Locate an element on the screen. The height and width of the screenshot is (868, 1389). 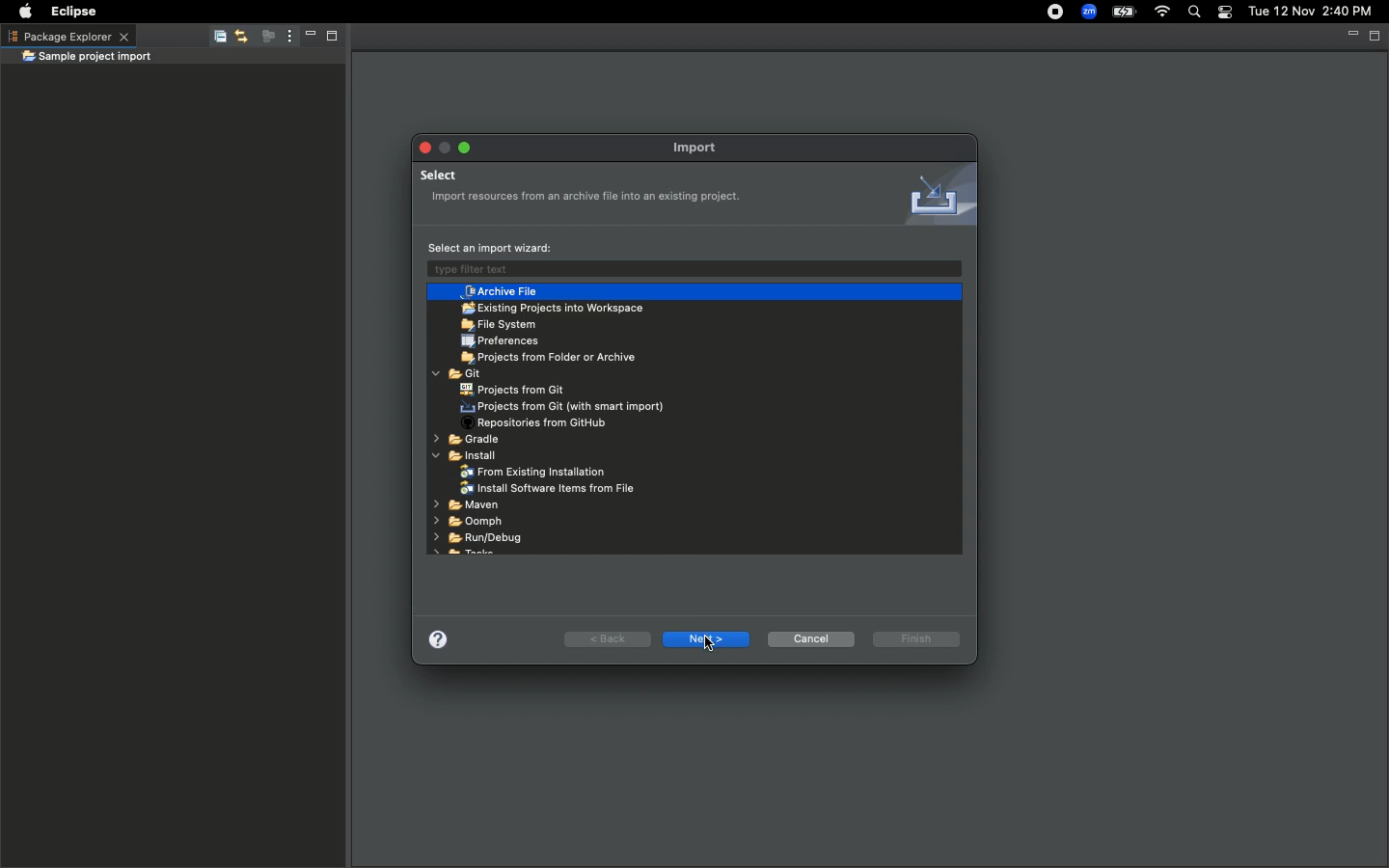
Repositories from GitHub is located at coordinates (541, 424).